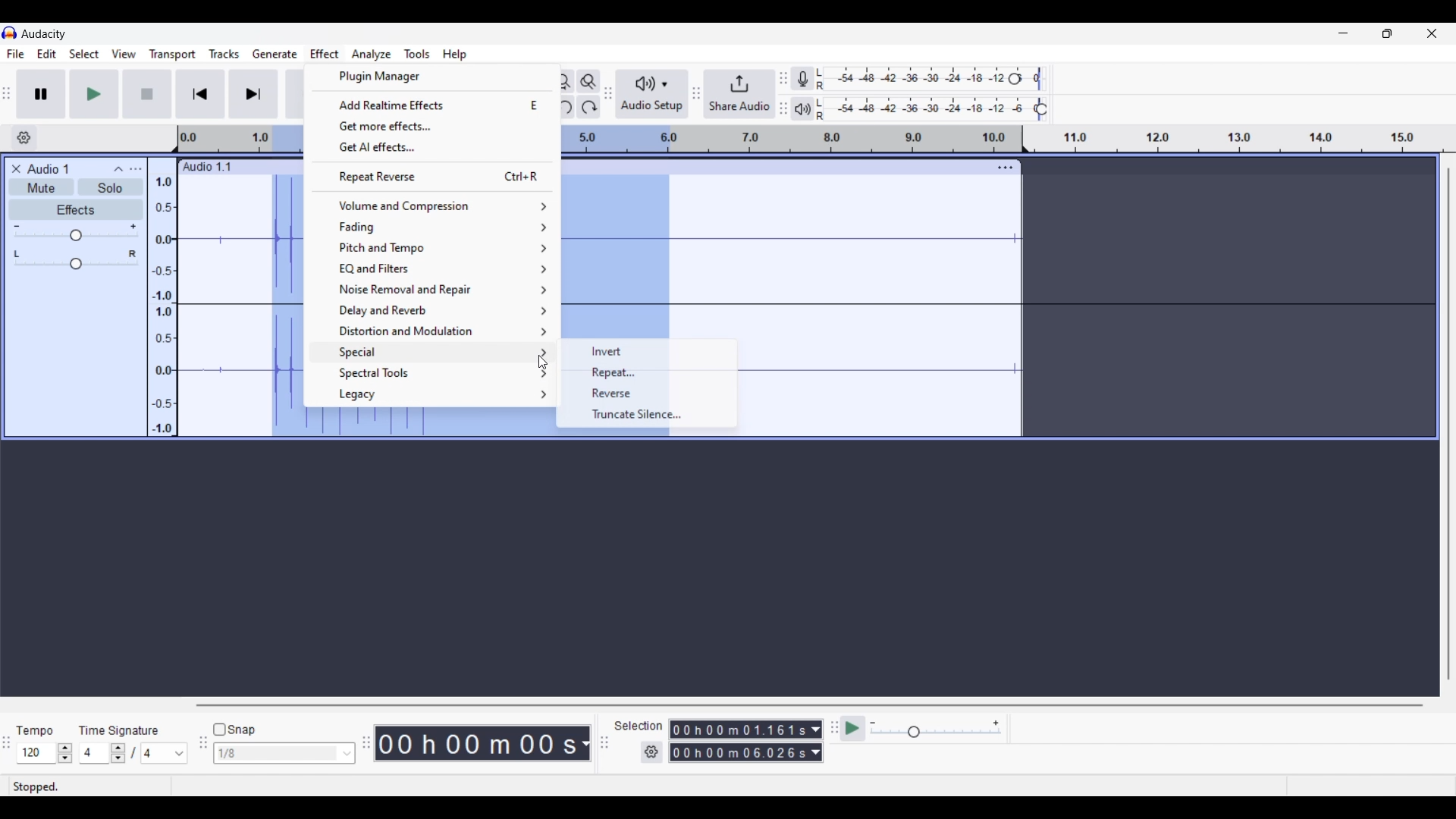 This screenshot has width=1456, height=819. What do you see at coordinates (996, 723) in the screenshot?
I see `Maximum playback speed` at bounding box center [996, 723].